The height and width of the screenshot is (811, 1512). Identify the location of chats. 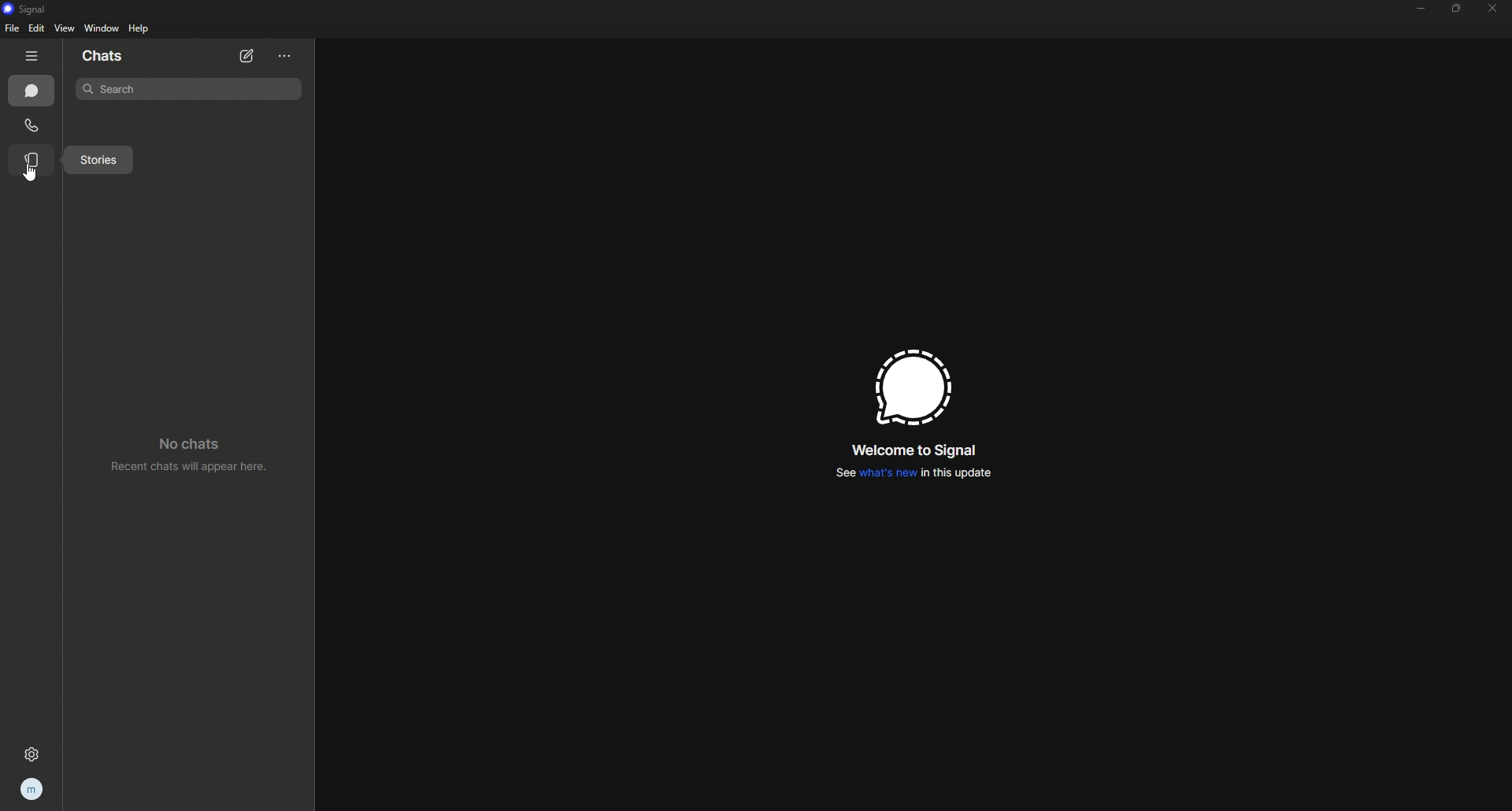
(31, 91).